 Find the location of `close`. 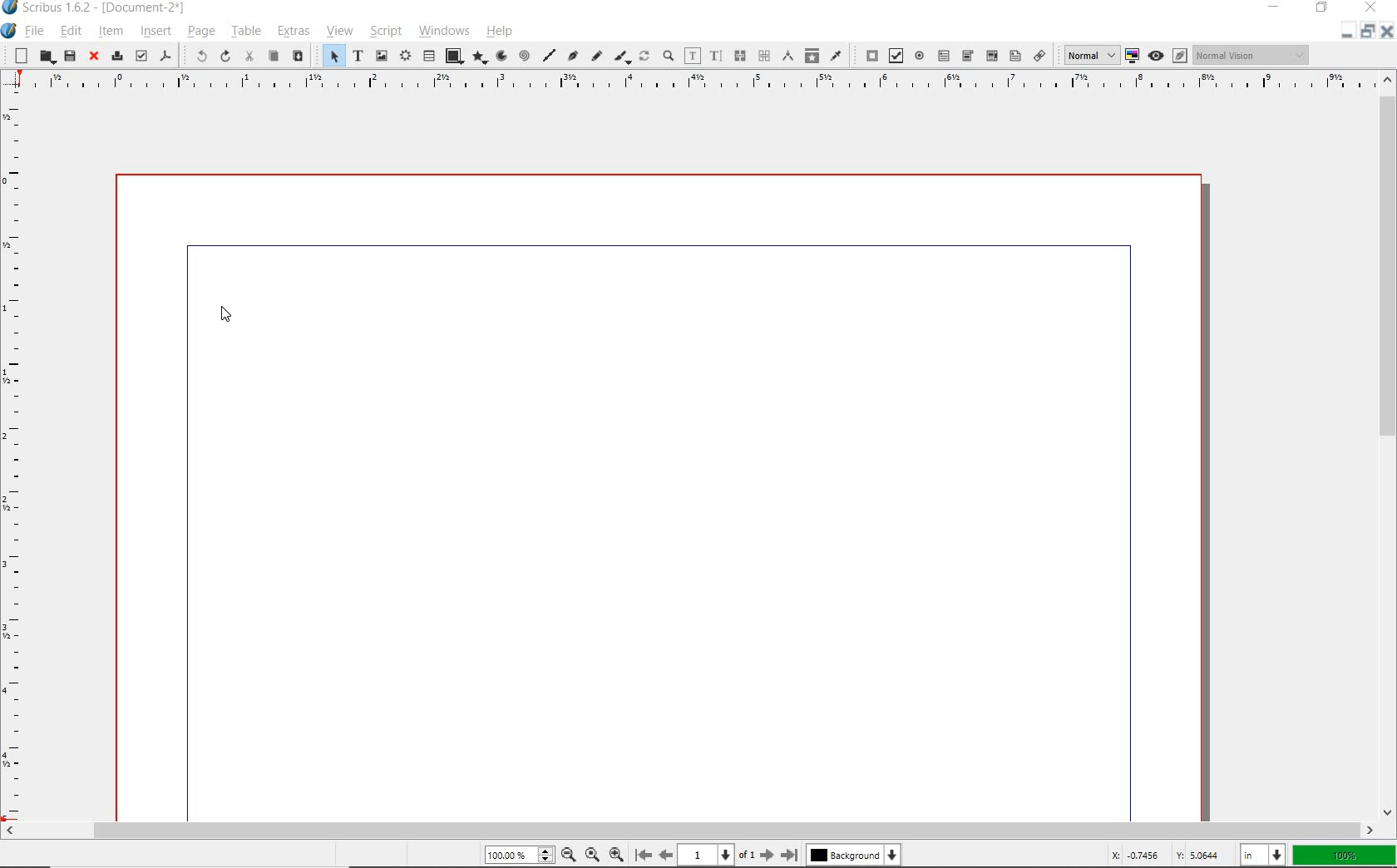

close is located at coordinates (95, 57).